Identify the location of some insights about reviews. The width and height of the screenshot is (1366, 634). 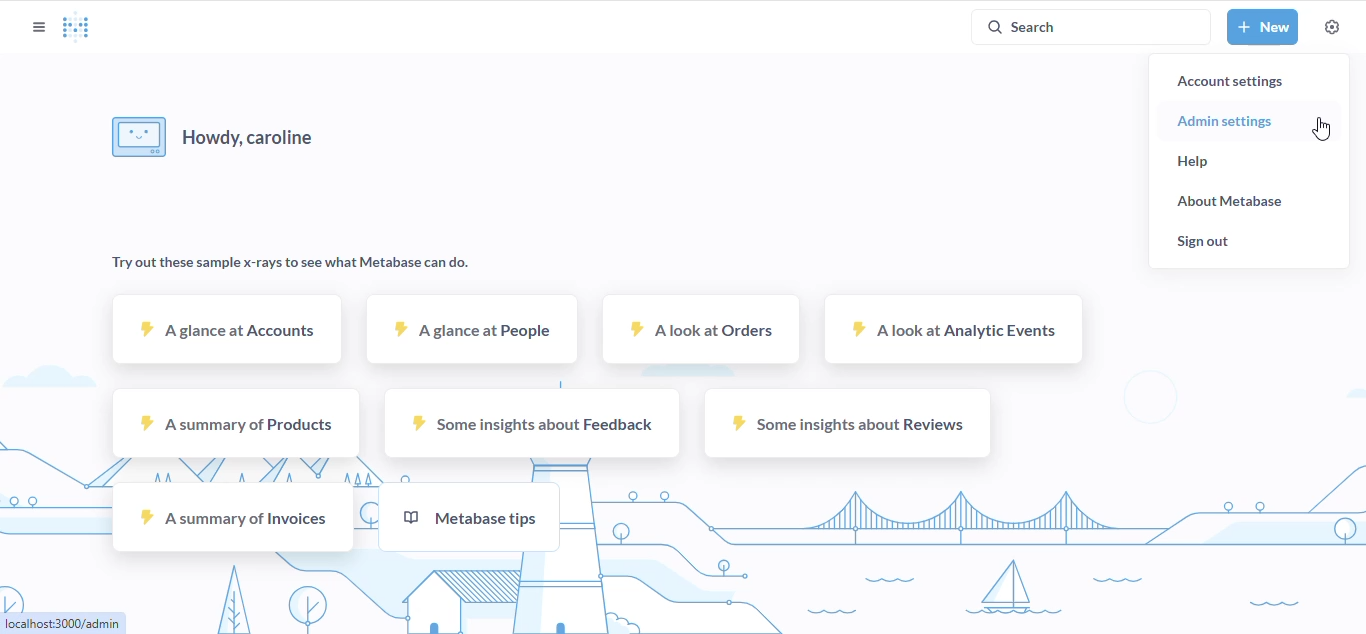
(847, 424).